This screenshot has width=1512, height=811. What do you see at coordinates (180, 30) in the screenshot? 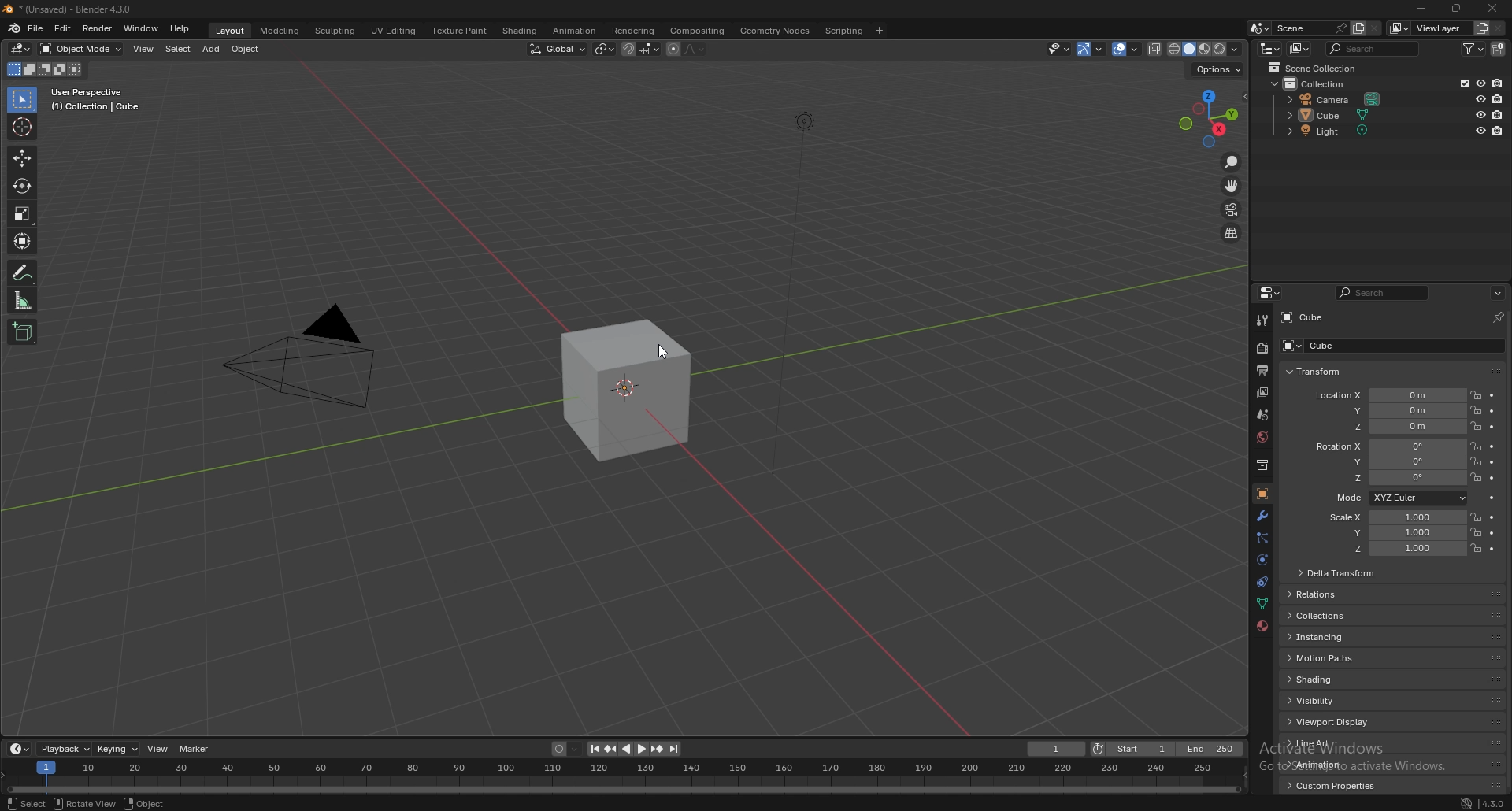
I see `help` at bounding box center [180, 30].